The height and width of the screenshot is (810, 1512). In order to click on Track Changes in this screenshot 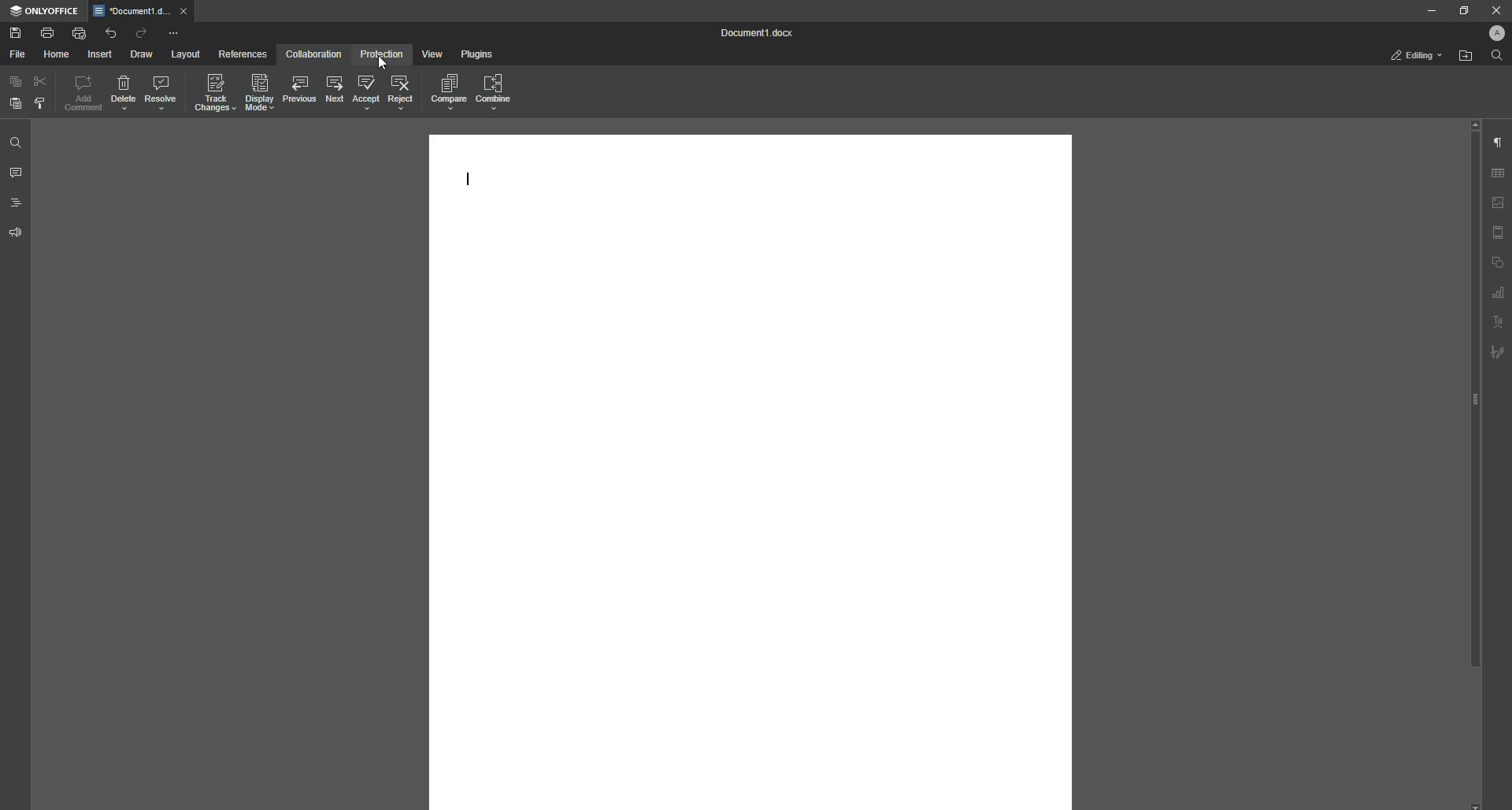, I will do `click(216, 94)`.